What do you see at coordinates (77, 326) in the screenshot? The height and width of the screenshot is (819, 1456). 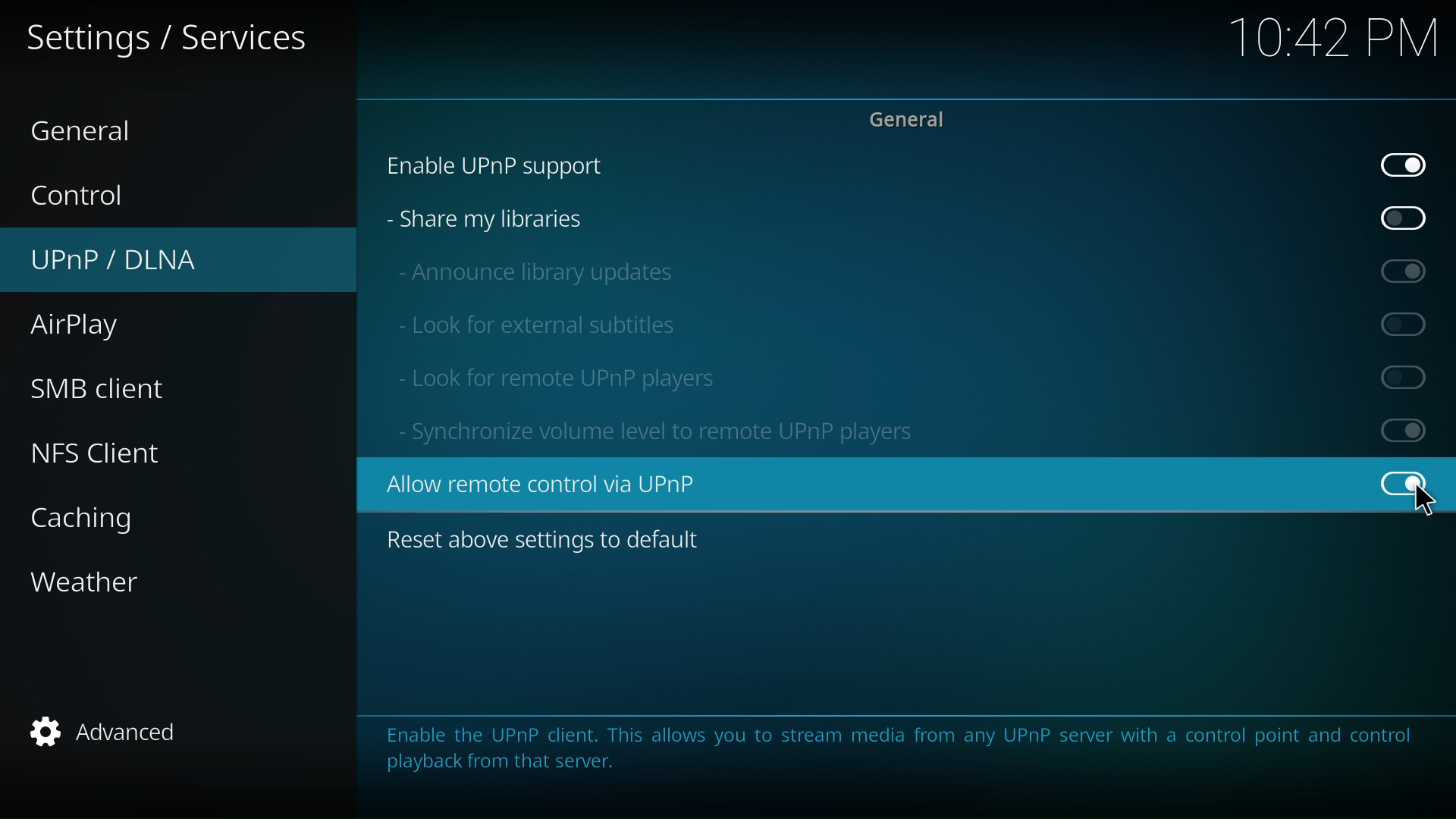 I see `airplay` at bounding box center [77, 326].